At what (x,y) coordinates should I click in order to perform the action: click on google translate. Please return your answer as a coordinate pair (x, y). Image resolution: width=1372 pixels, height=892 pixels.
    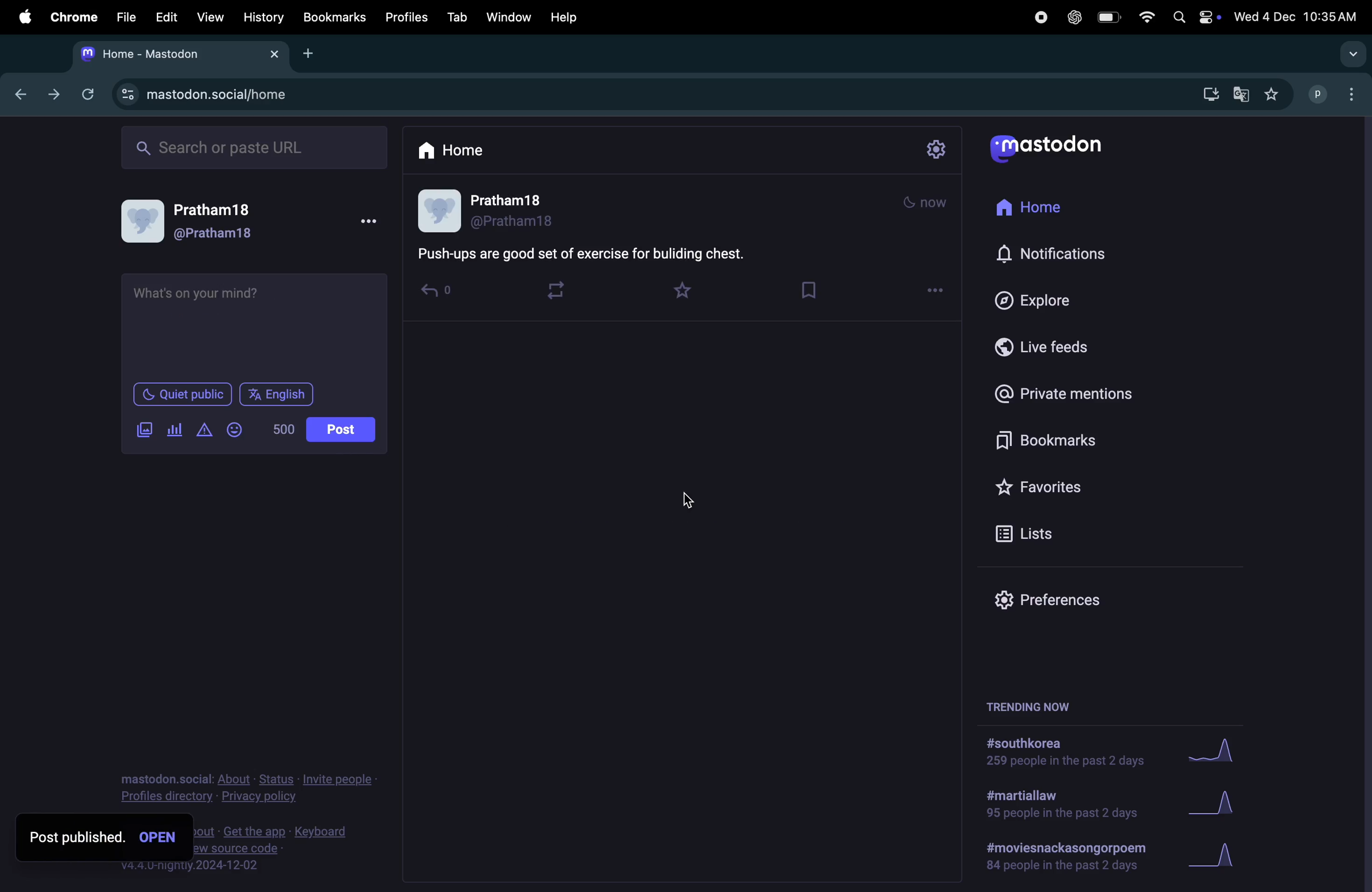
    Looking at the image, I should click on (1239, 94).